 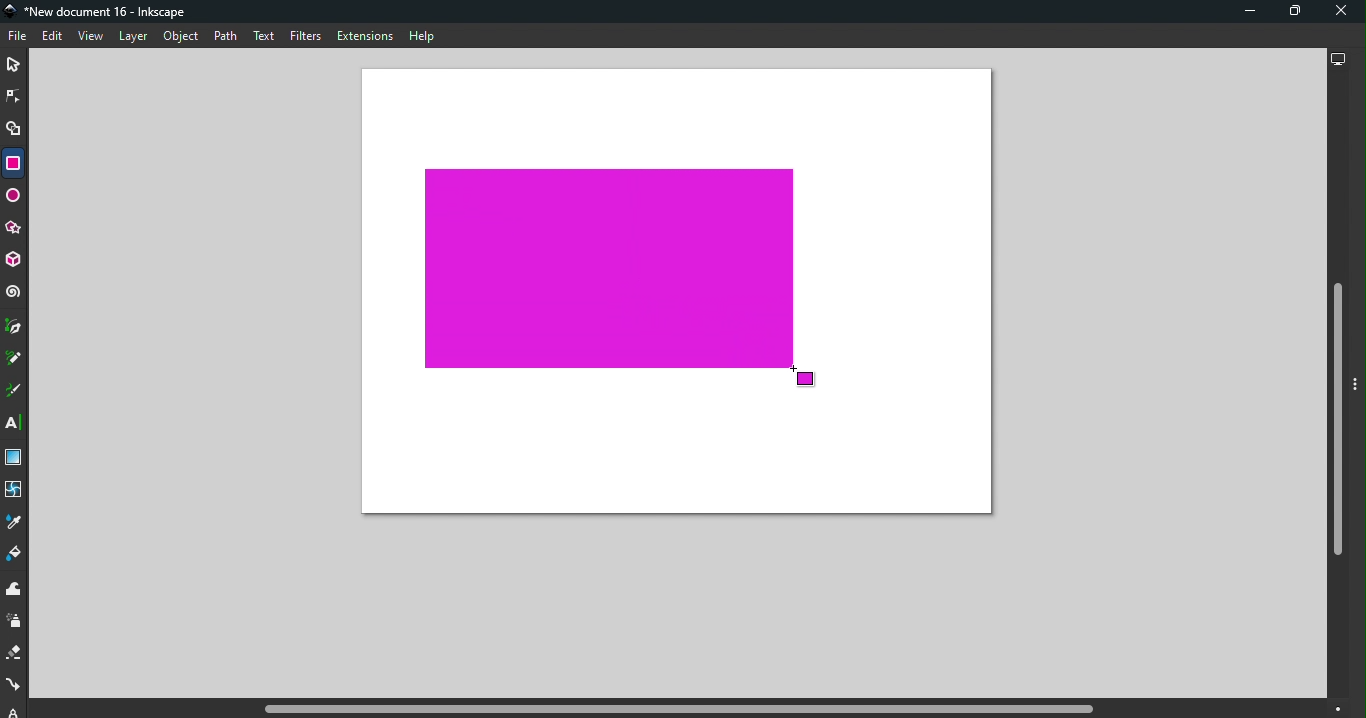 What do you see at coordinates (1341, 12) in the screenshot?
I see `Close` at bounding box center [1341, 12].